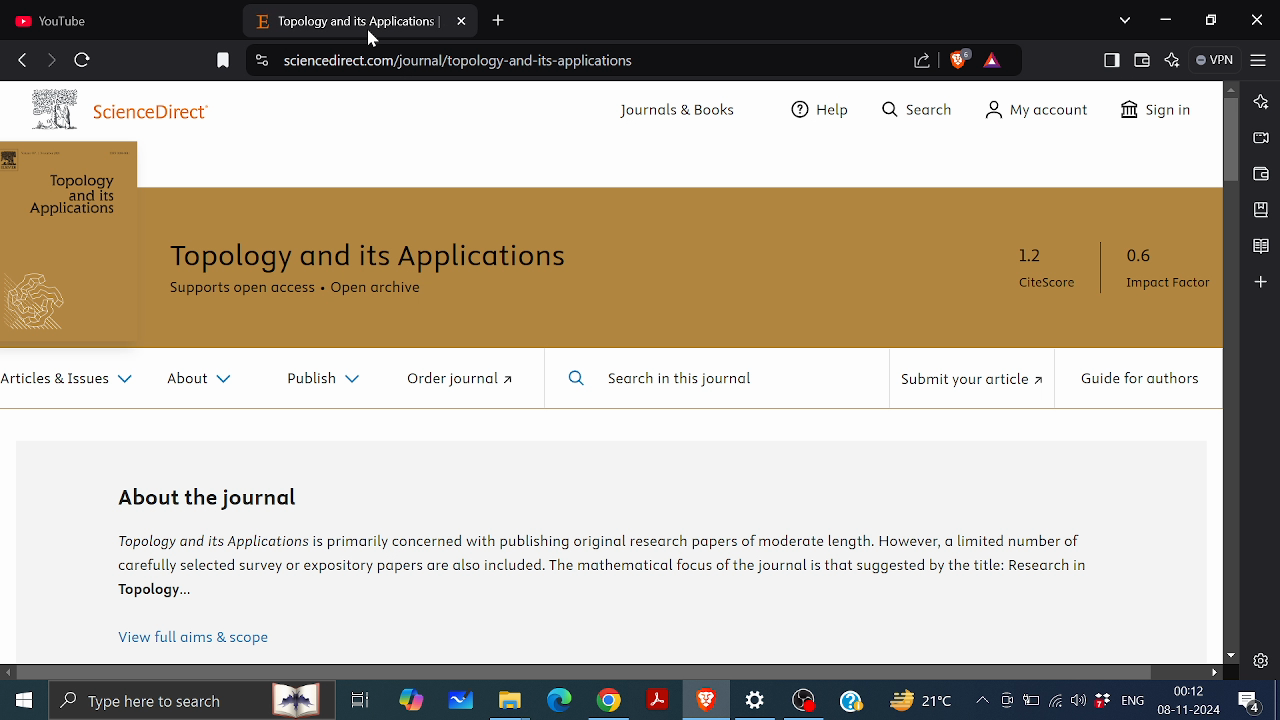 The image size is (1280, 720). What do you see at coordinates (658, 700) in the screenshot?
I see `Adobe reader` at bounding box center [658, 700].